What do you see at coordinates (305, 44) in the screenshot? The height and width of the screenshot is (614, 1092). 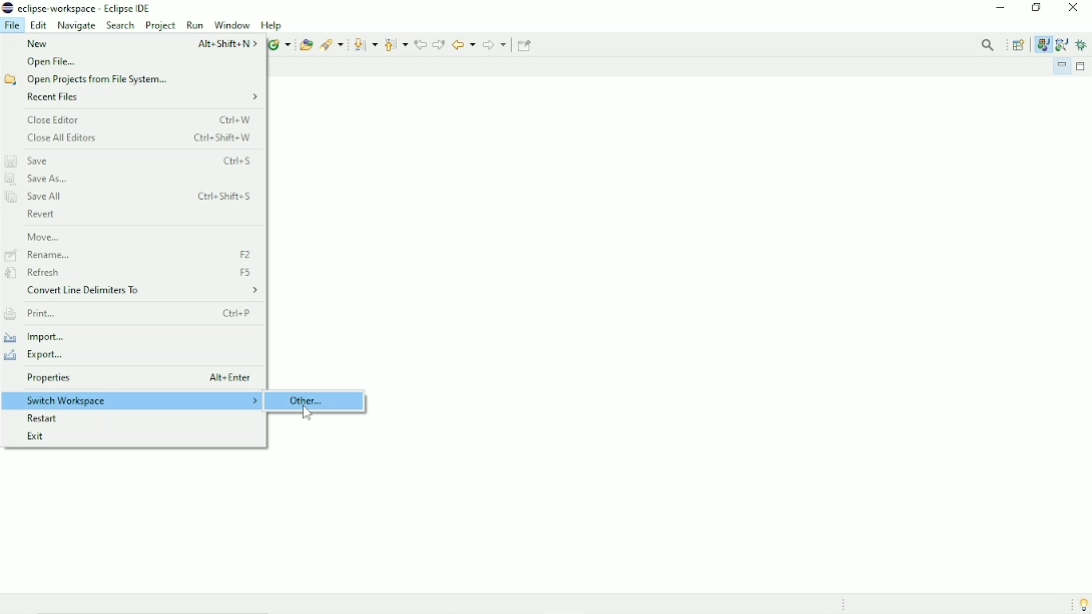 I see `Open type` at bounding box center [305, 44].